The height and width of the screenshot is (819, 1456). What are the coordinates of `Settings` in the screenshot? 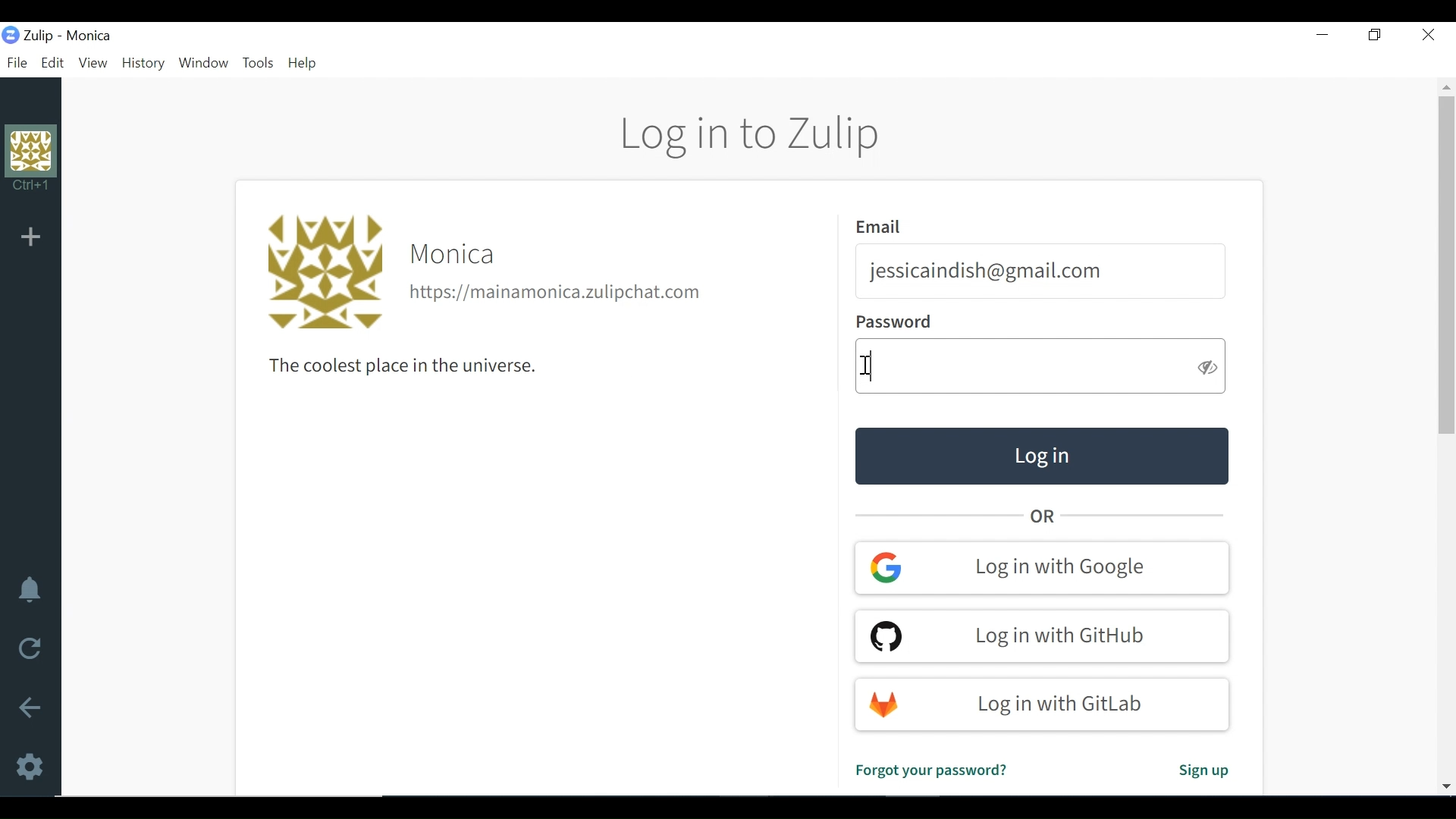 It's located at (28, 767).